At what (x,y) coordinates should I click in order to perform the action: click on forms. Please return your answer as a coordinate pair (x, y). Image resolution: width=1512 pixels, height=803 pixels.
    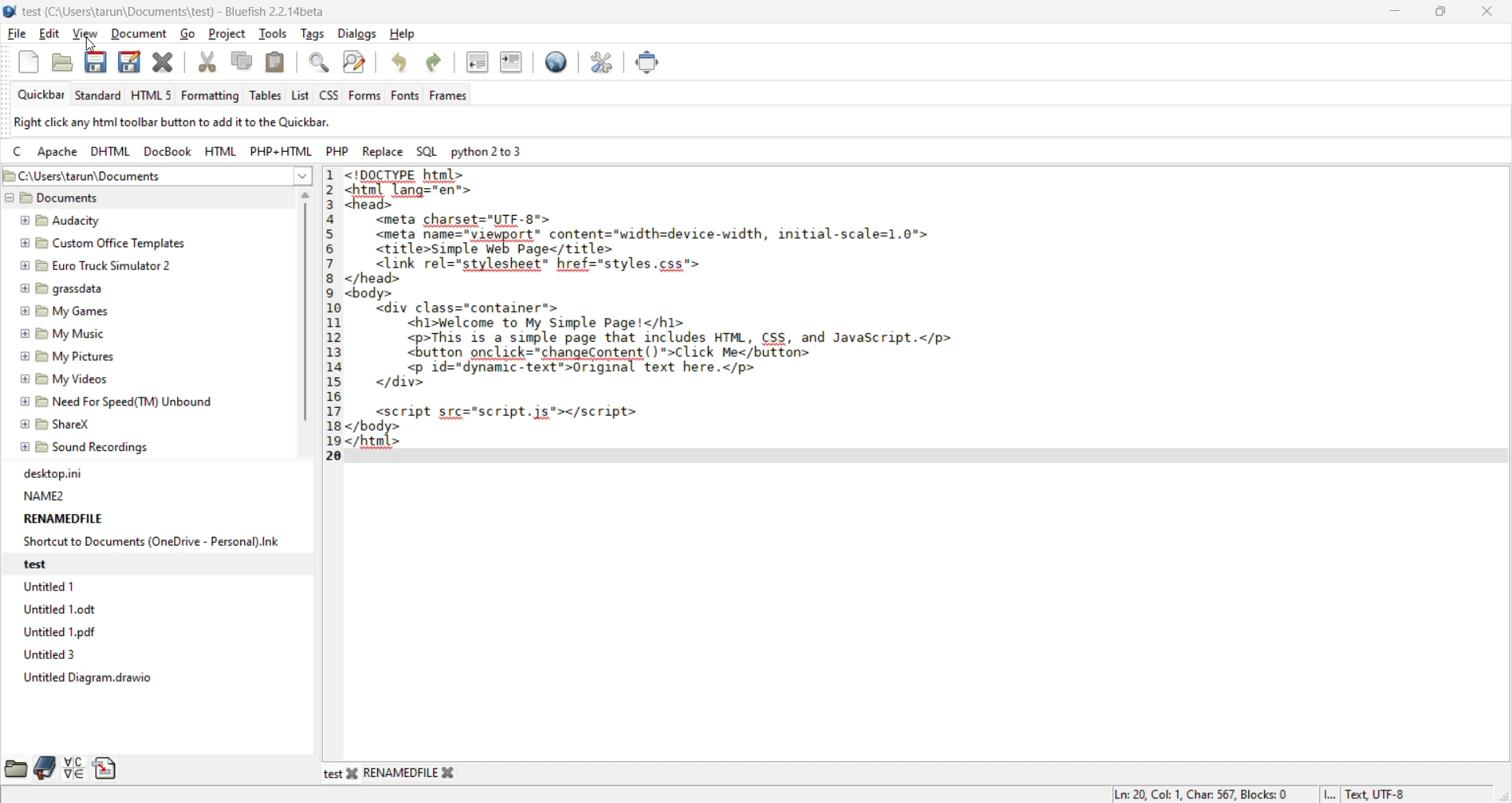
    Looking at the image, I should click on (365, 96).